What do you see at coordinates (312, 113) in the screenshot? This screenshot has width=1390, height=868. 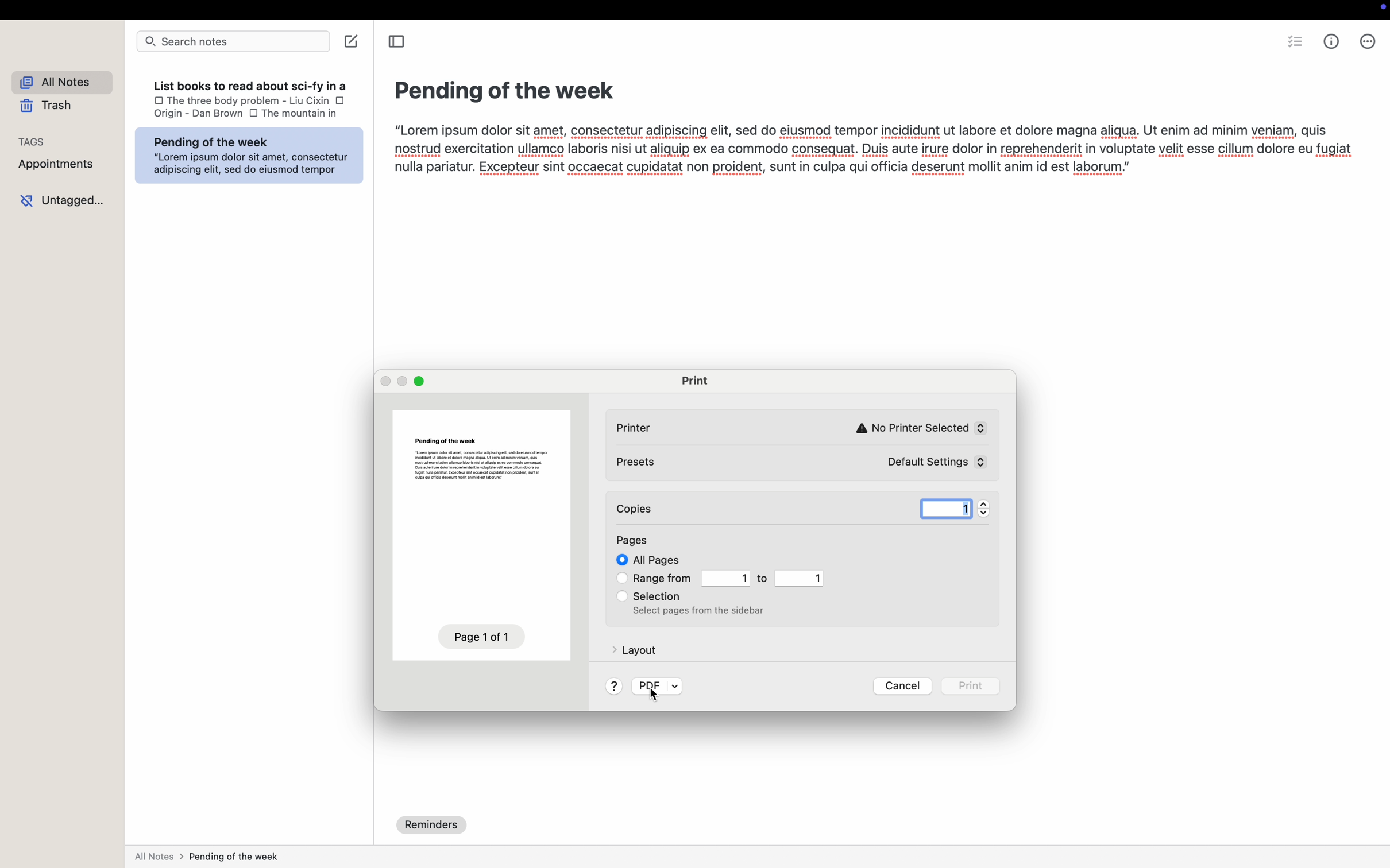 I see `the mountyain in` at bounding box center [312, 113].